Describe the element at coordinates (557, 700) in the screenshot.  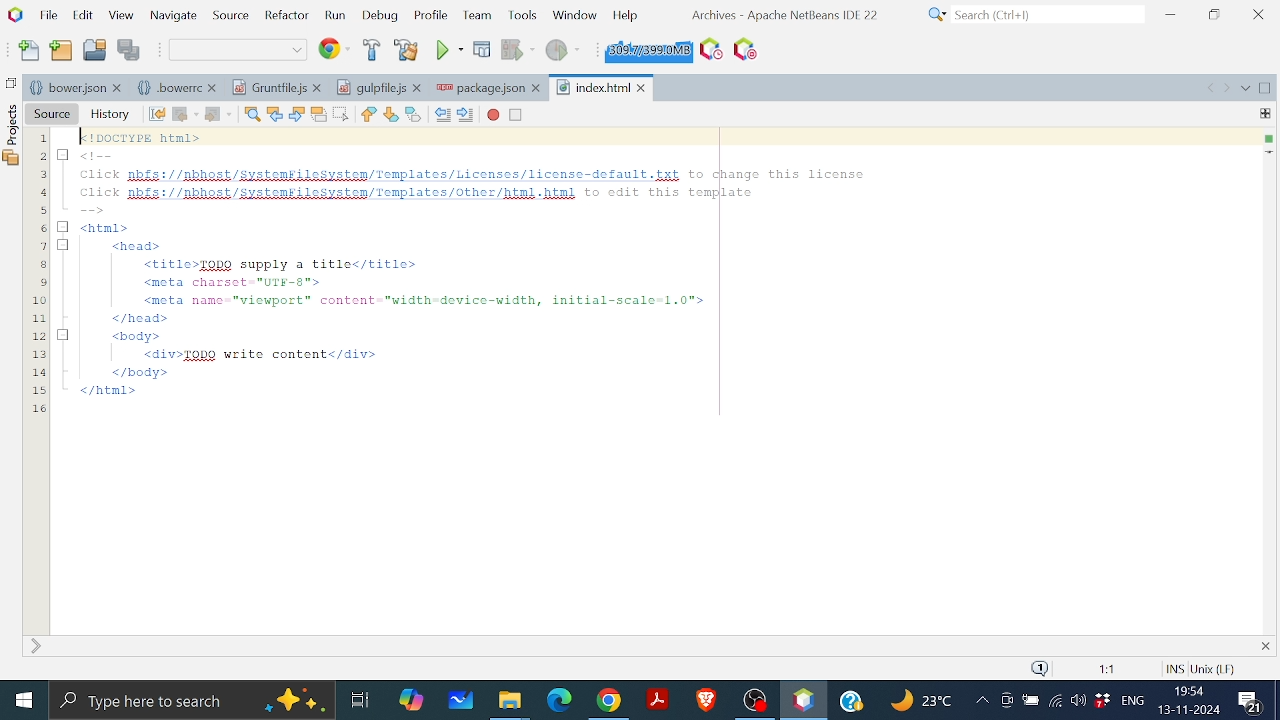
I see `Microsoft edge` at that location.